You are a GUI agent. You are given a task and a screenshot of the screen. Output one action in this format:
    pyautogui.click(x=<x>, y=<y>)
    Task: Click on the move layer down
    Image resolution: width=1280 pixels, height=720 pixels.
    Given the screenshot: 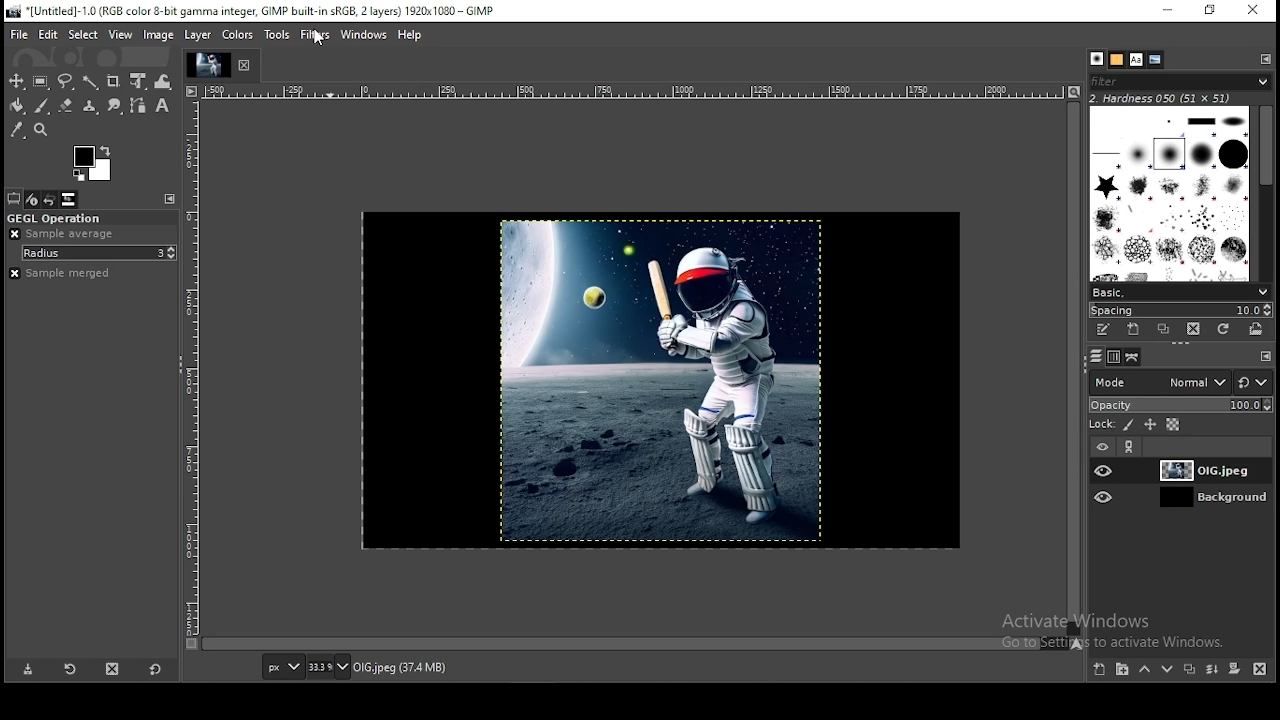 What is the action you would take?
    pyautogui.click(x=1168, y=672)
    